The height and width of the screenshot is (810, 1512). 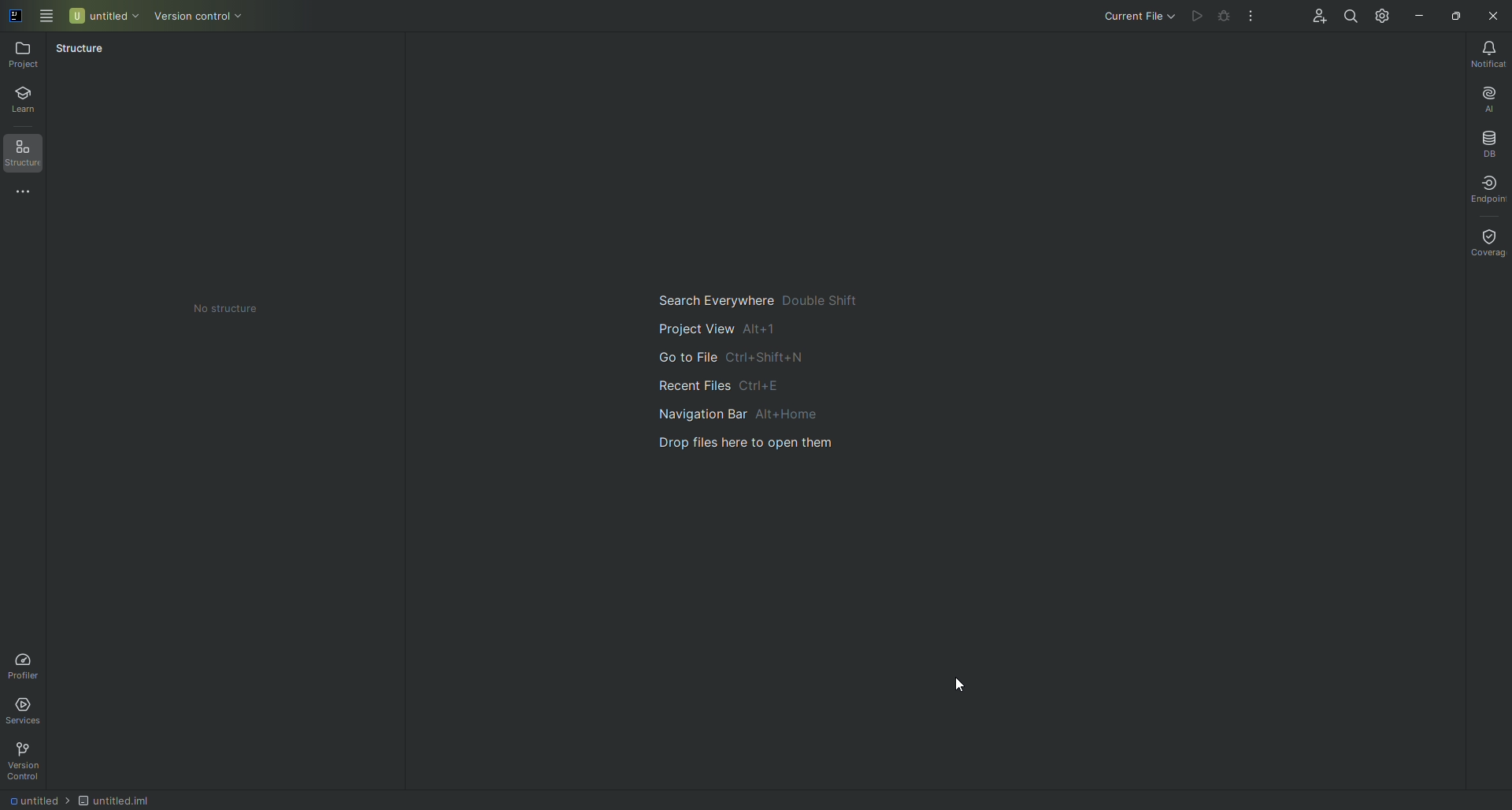 I want to click on Version control, so click(x=200, y=18).